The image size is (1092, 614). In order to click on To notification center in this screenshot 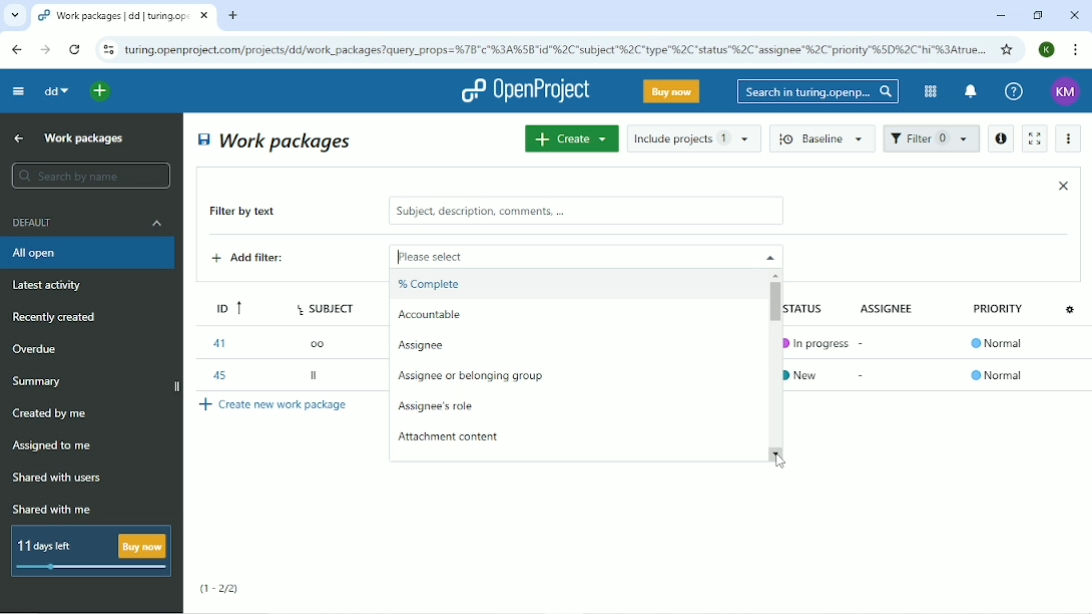, I will do `click(969, 93)`.